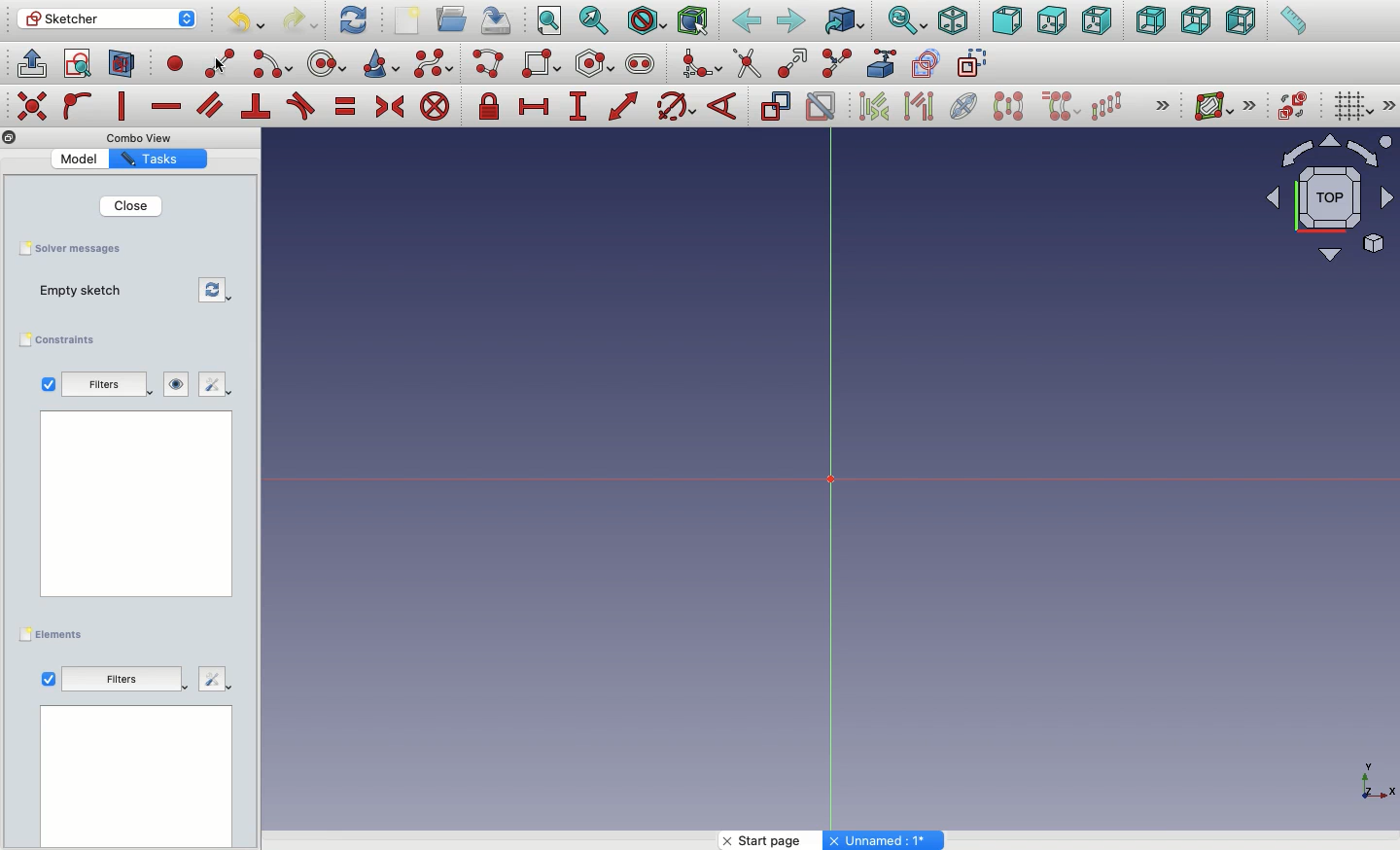  What do you see at coordinates (624, 106) in the screenshot?
I see `Constrain distance` at bounding box center [624, 106].